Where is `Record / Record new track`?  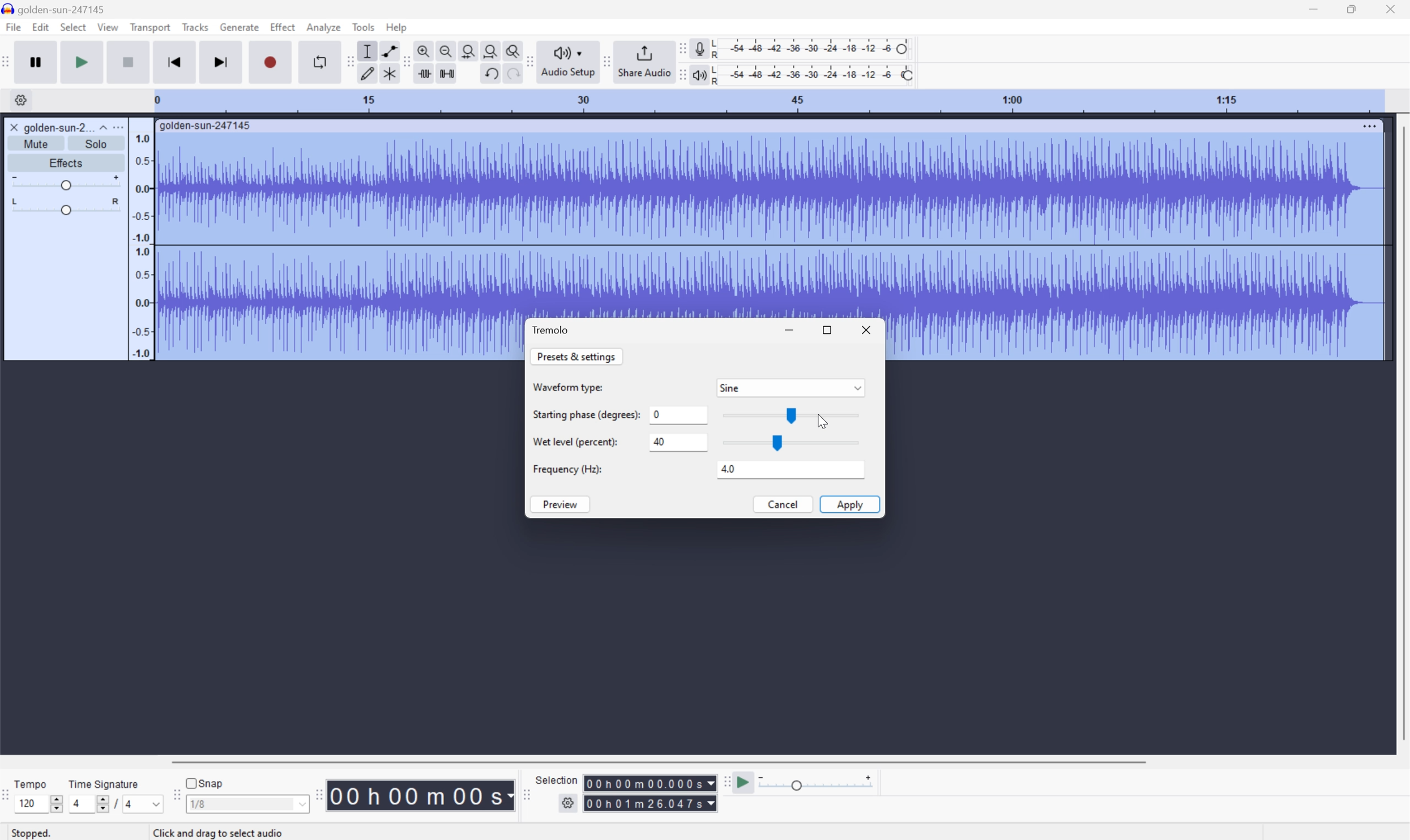 Record / Record new track is located at coordinates (270, 62).